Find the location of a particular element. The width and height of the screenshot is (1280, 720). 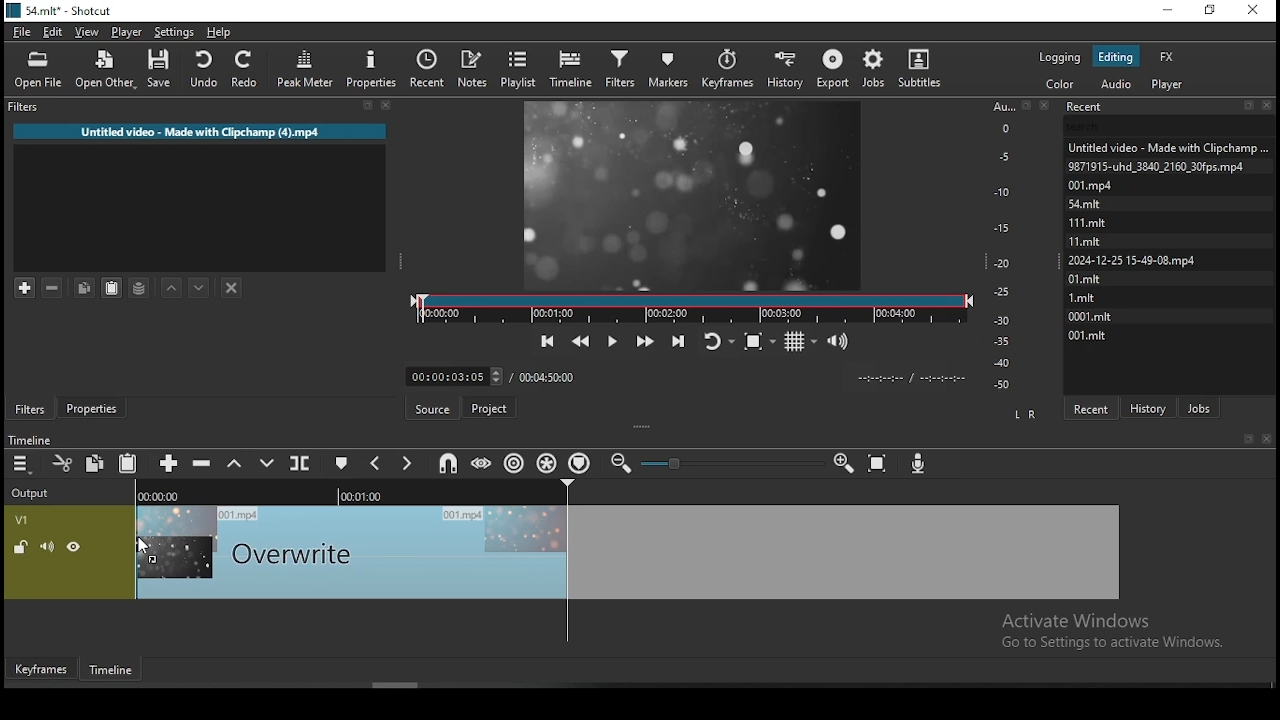

logging is located at coordinates (1062, 59).